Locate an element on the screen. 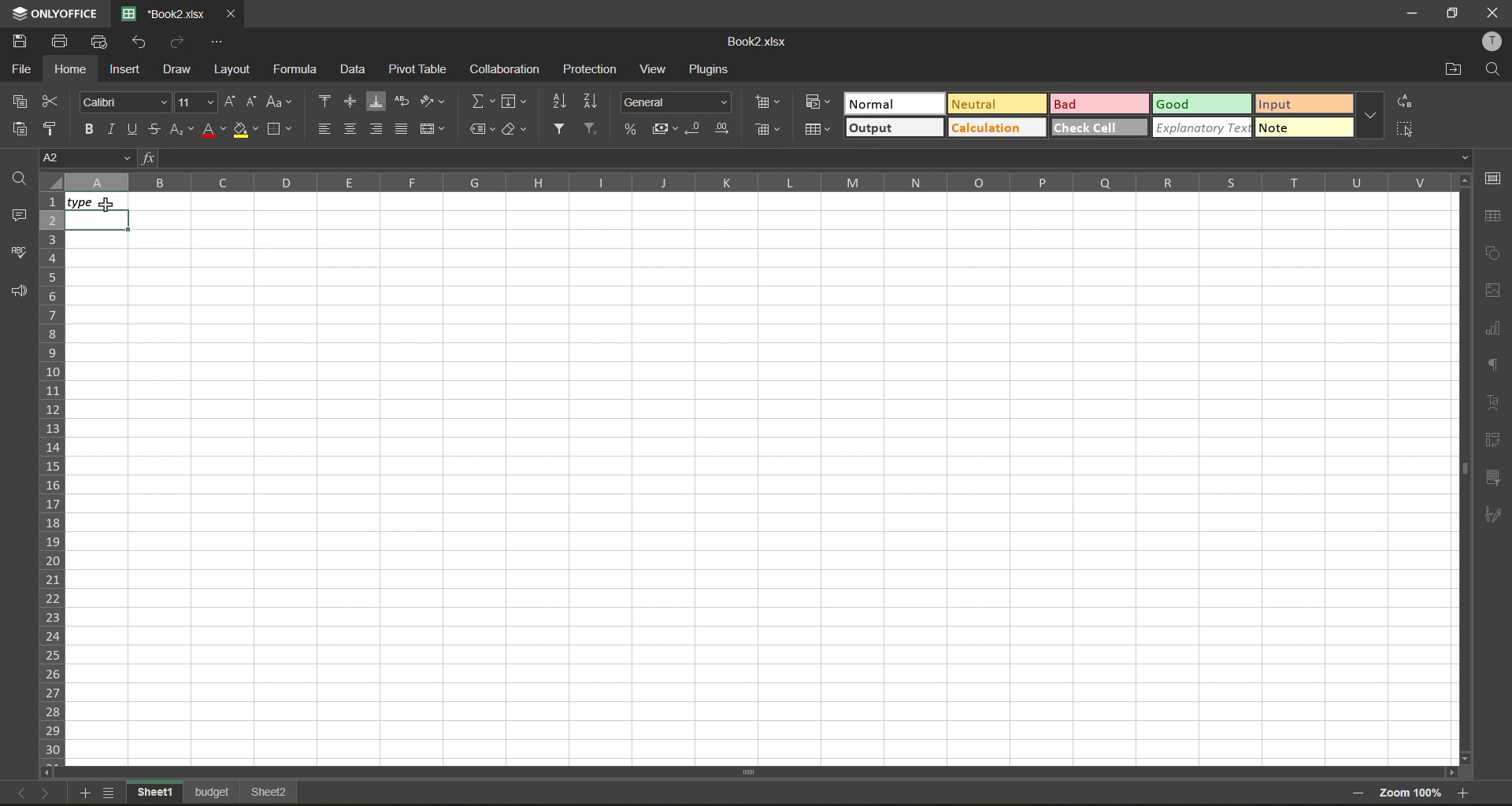 The height and width of the screenshot is (806, 1512). increase decimal is located at coordinates (724, 129).